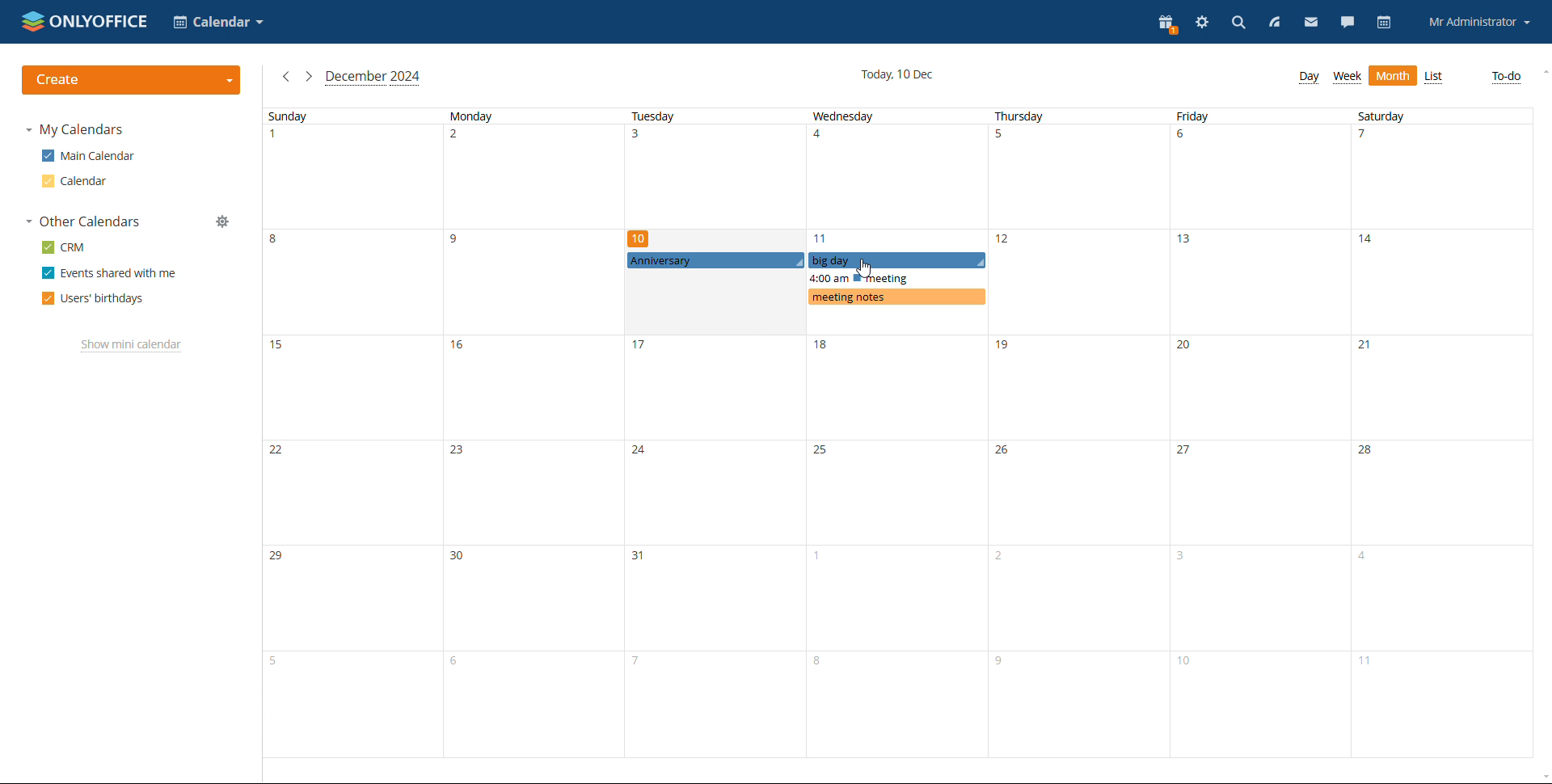 The width and height of the screenshot is (1552, 784). What do you see at coordinates (1393, 75) in the screenshot?
I see `month view` at bounding box center [1393, 75].